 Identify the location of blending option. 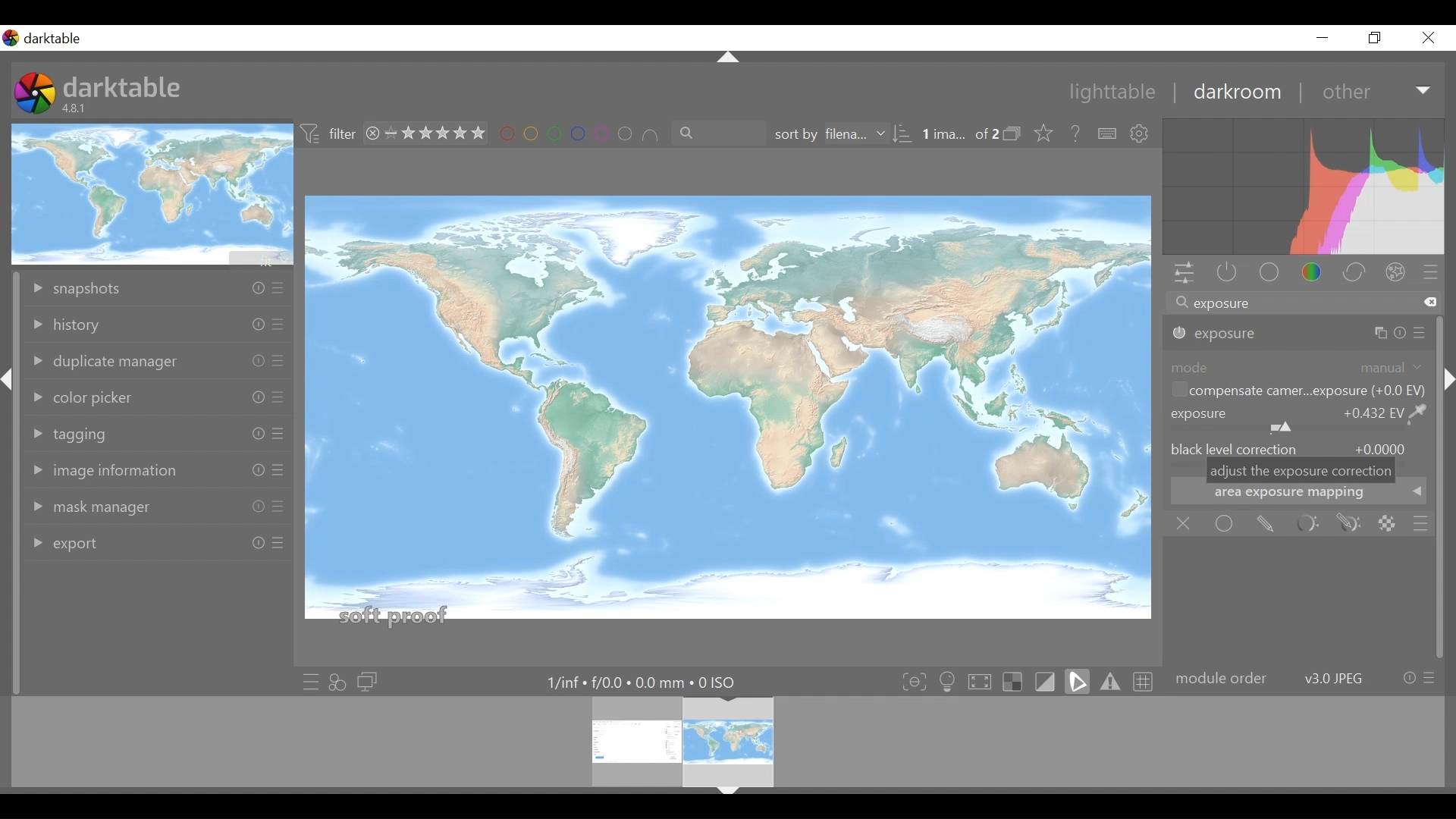
(1420, 522).